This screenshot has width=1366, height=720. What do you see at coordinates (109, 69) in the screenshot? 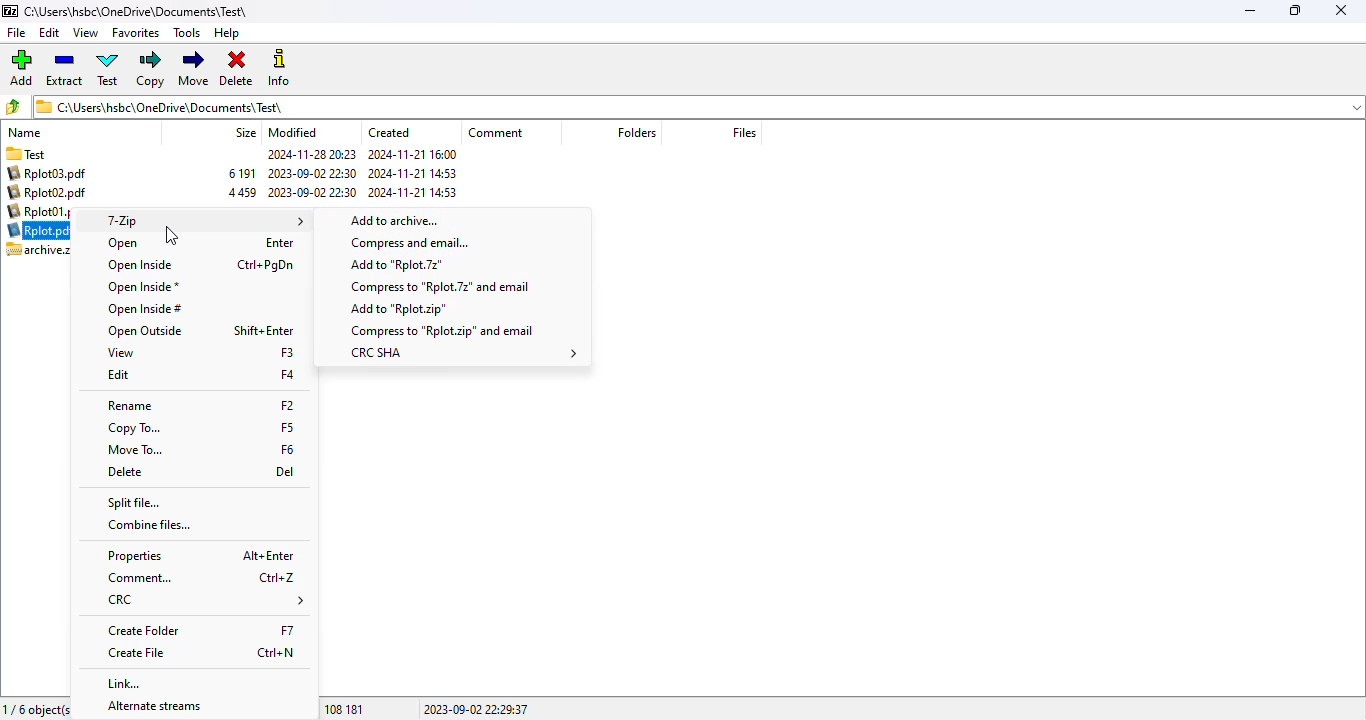
I see `test` at bounding box center [109, 69].